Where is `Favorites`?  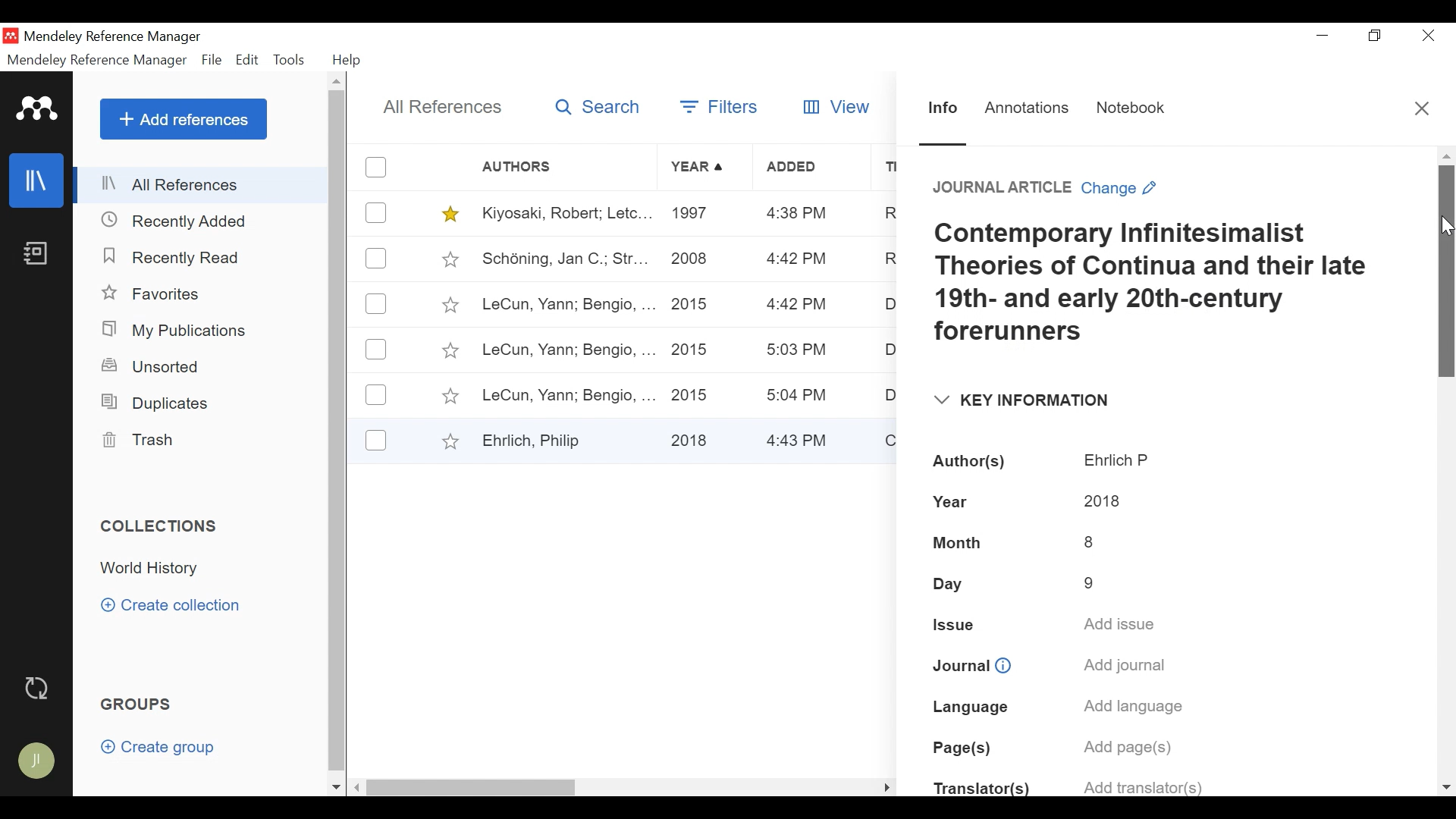
Favorites is located at coordinates (153, 293).